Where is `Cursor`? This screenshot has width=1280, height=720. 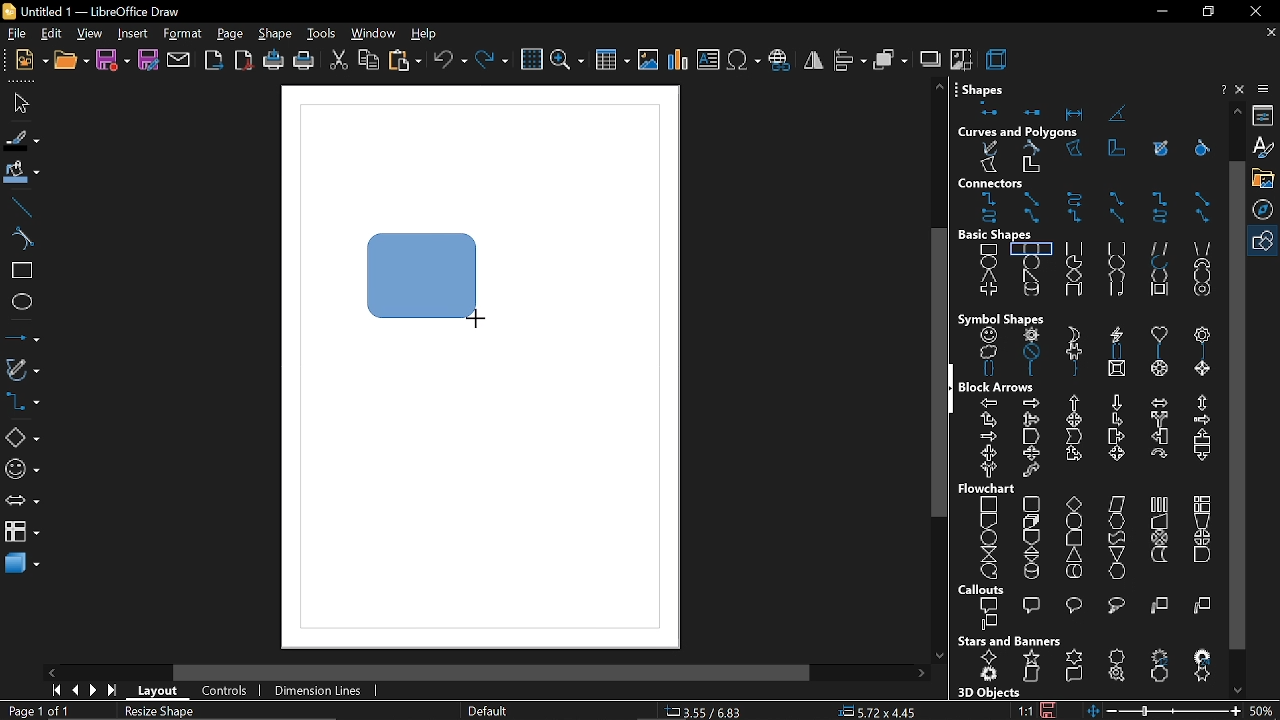
Cursor is located at coordinates (472, 316).